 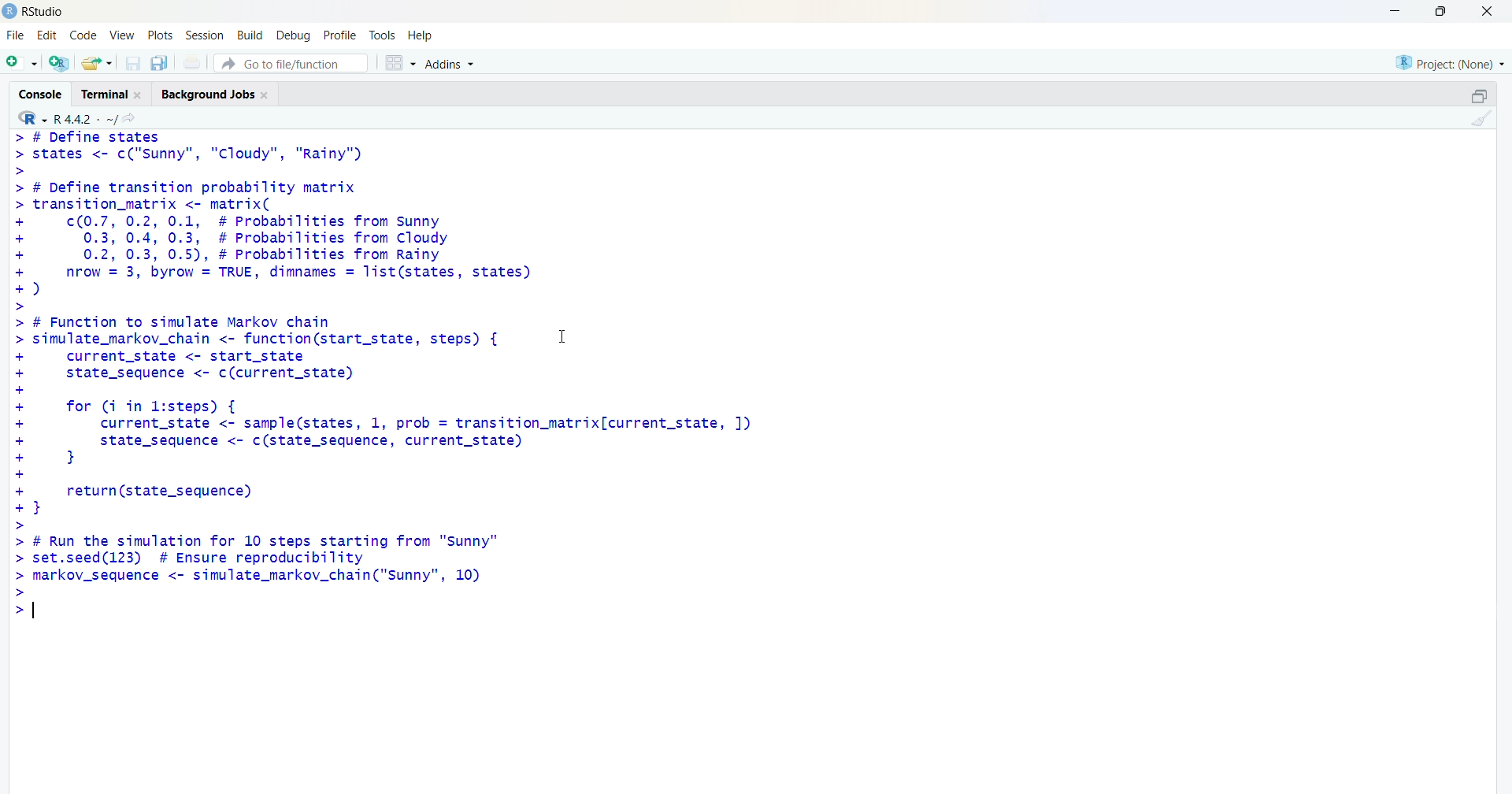 I want to click on tools, so click(x=384, y=33).